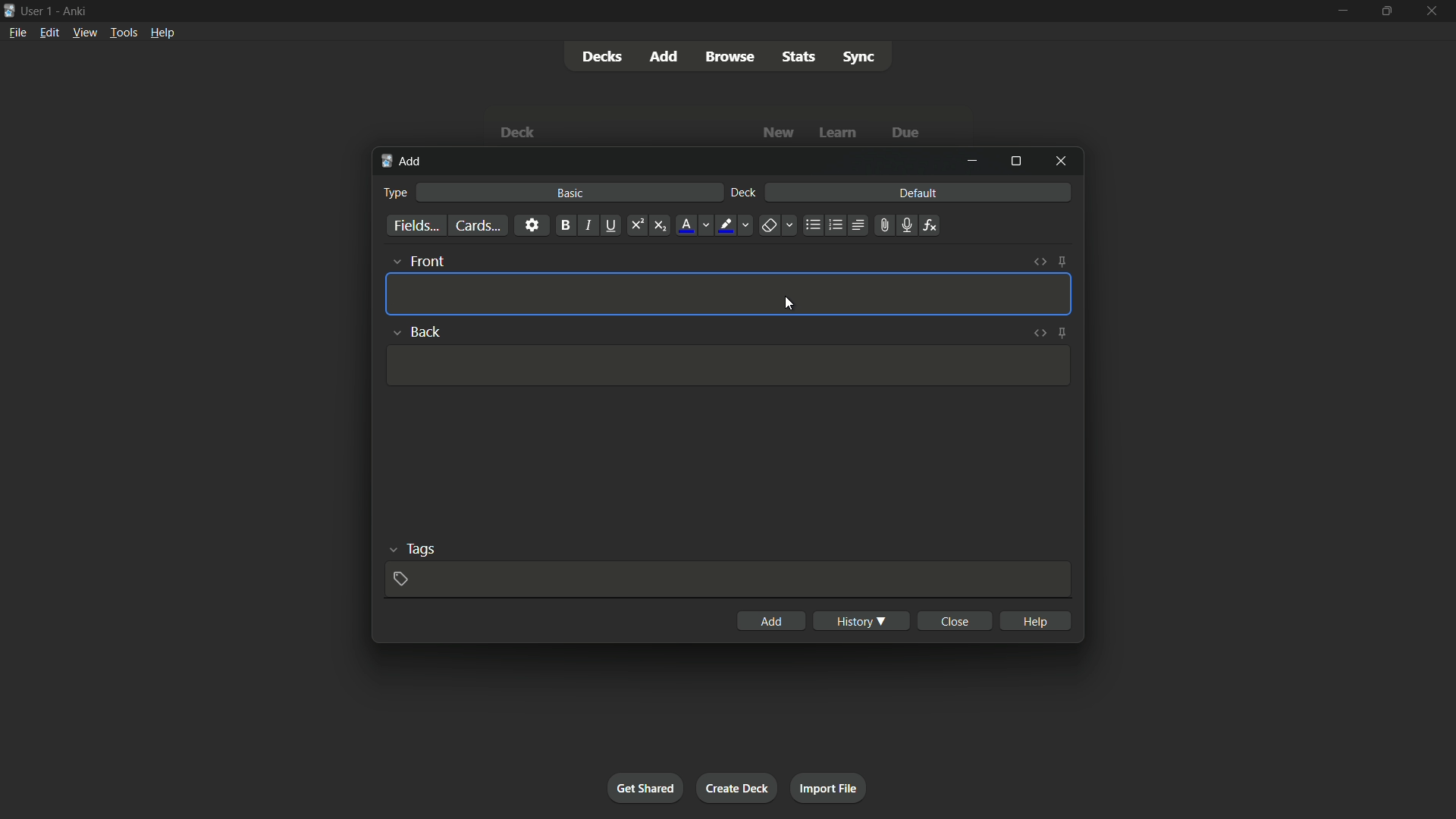  Describe the element at coordinates (800, 57) in the screenshot. I see `stats` at that location.